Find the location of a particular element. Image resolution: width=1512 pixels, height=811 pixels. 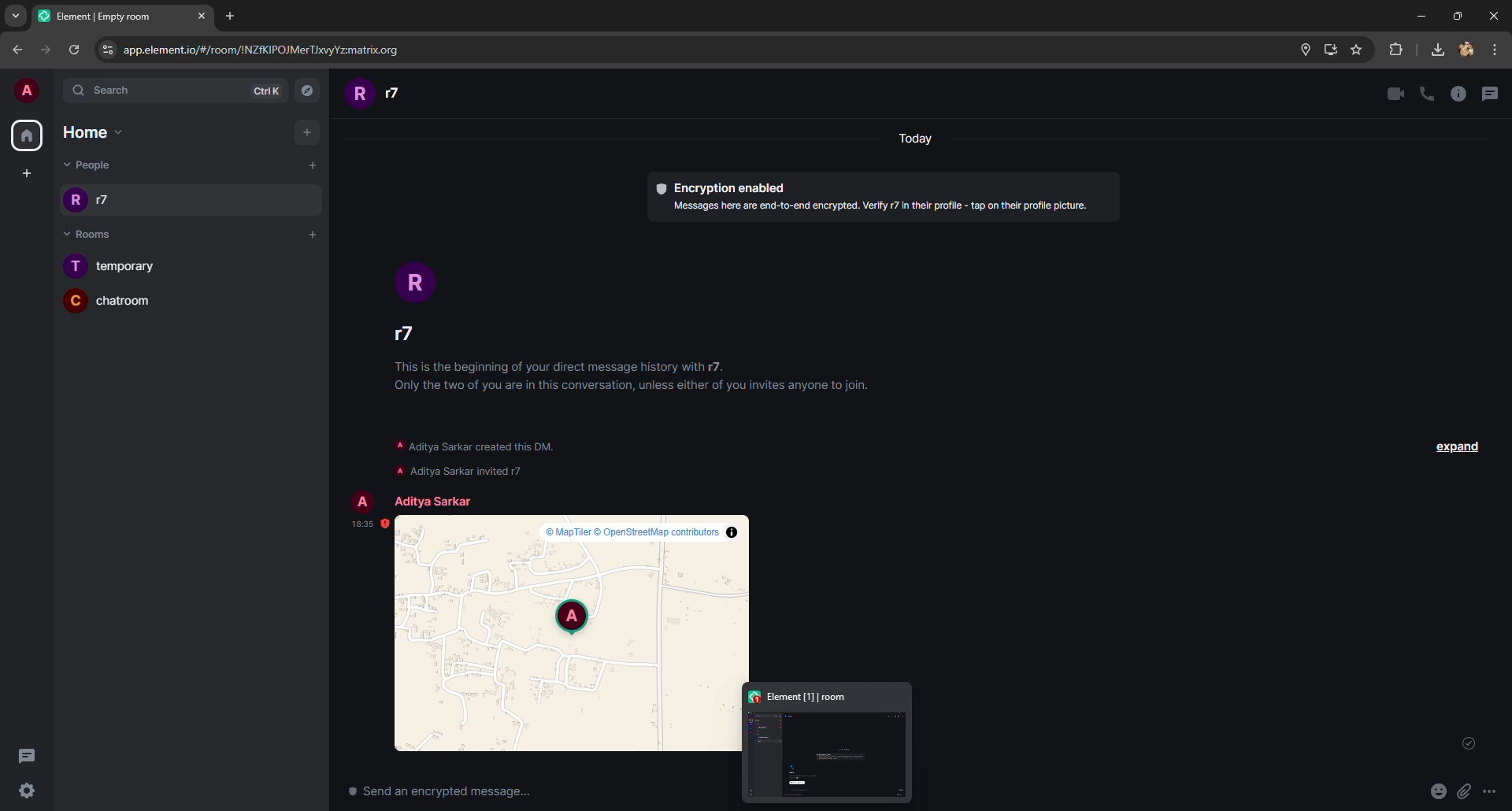

temporary is located at coordinates (146, 265).